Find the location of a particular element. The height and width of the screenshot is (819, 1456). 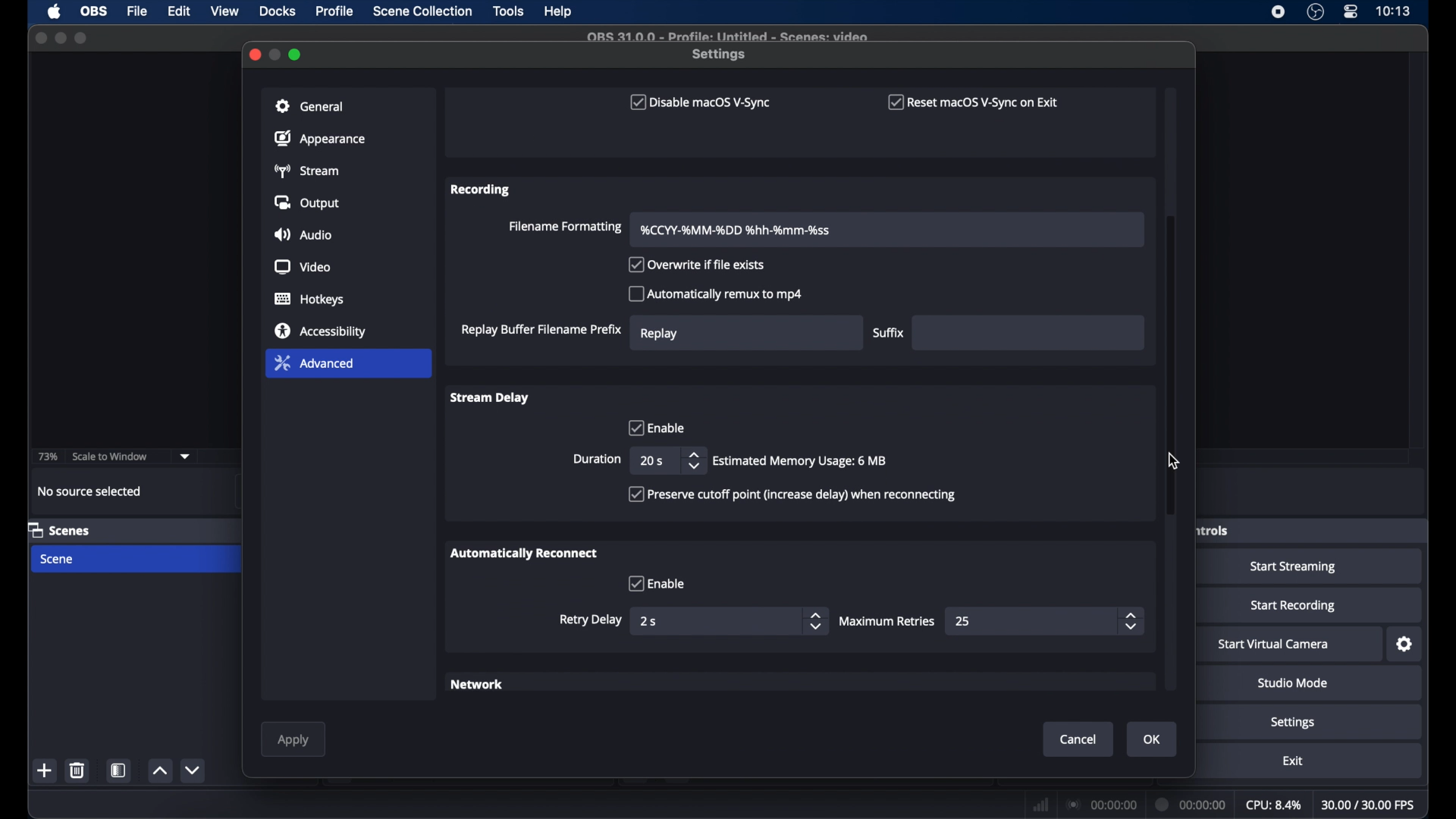

fps is located at coordinates (1369, 805).